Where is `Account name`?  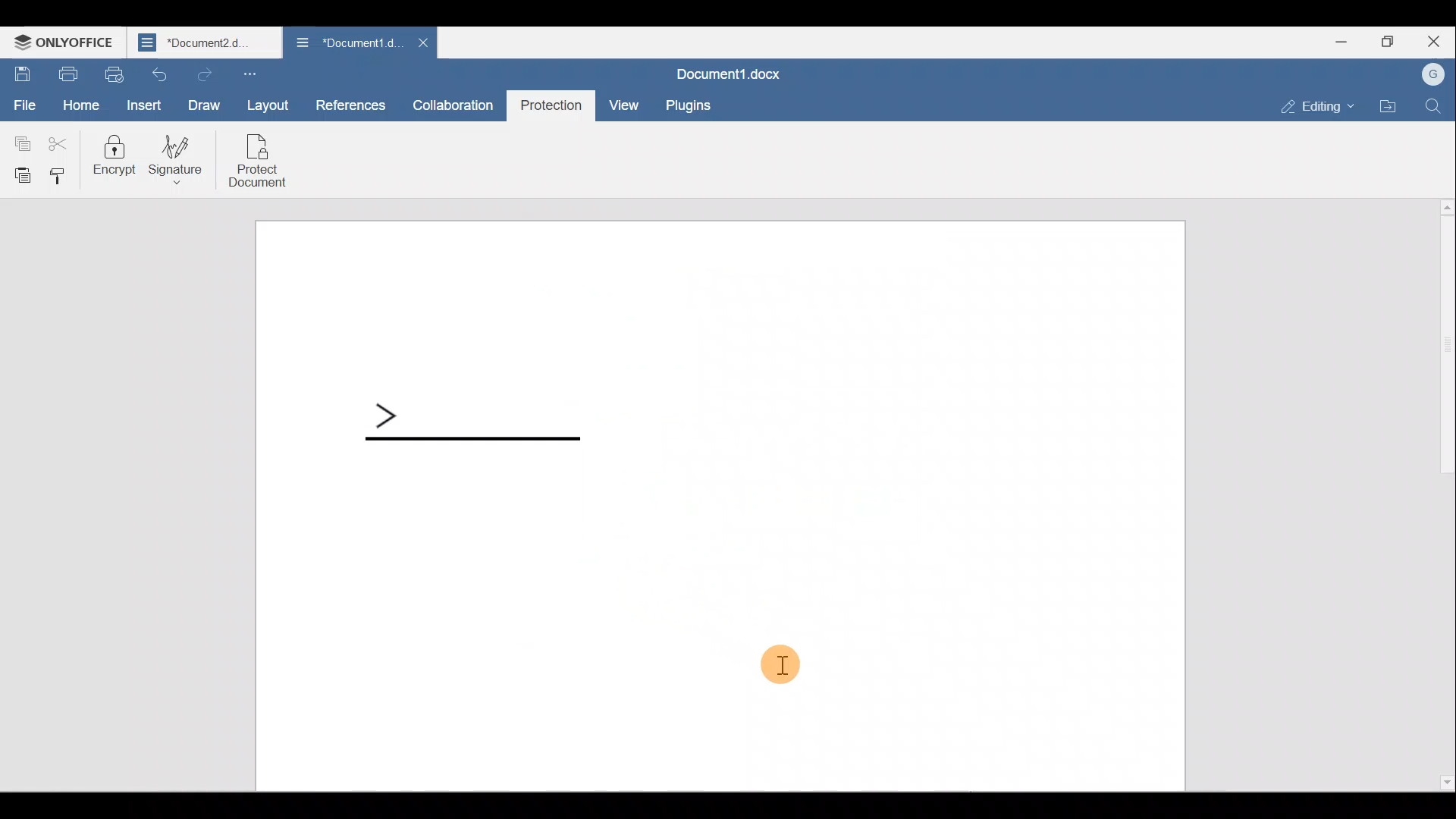 Account name is located at coordinates (1436, 73).